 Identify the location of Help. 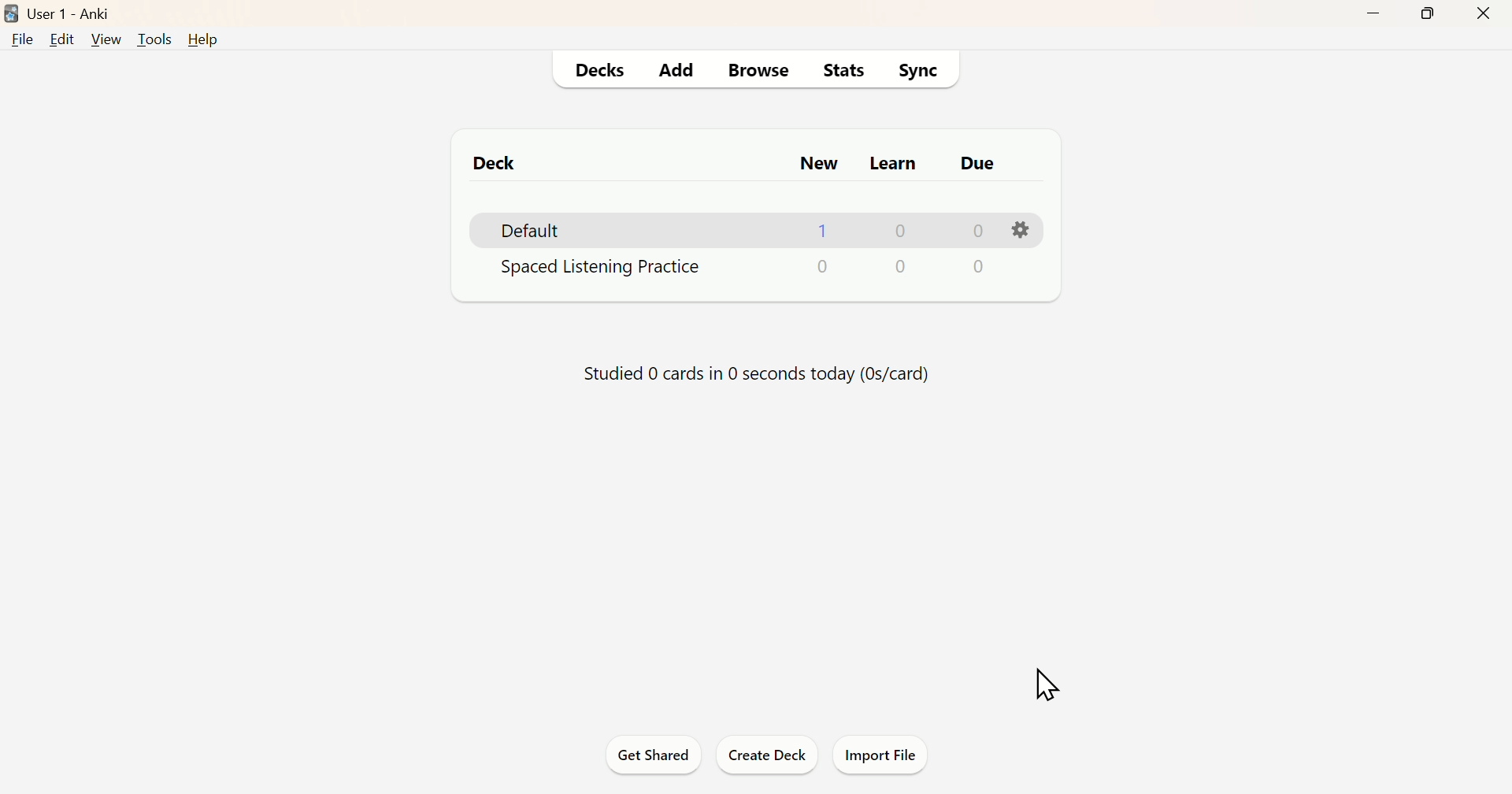
(203, 36).